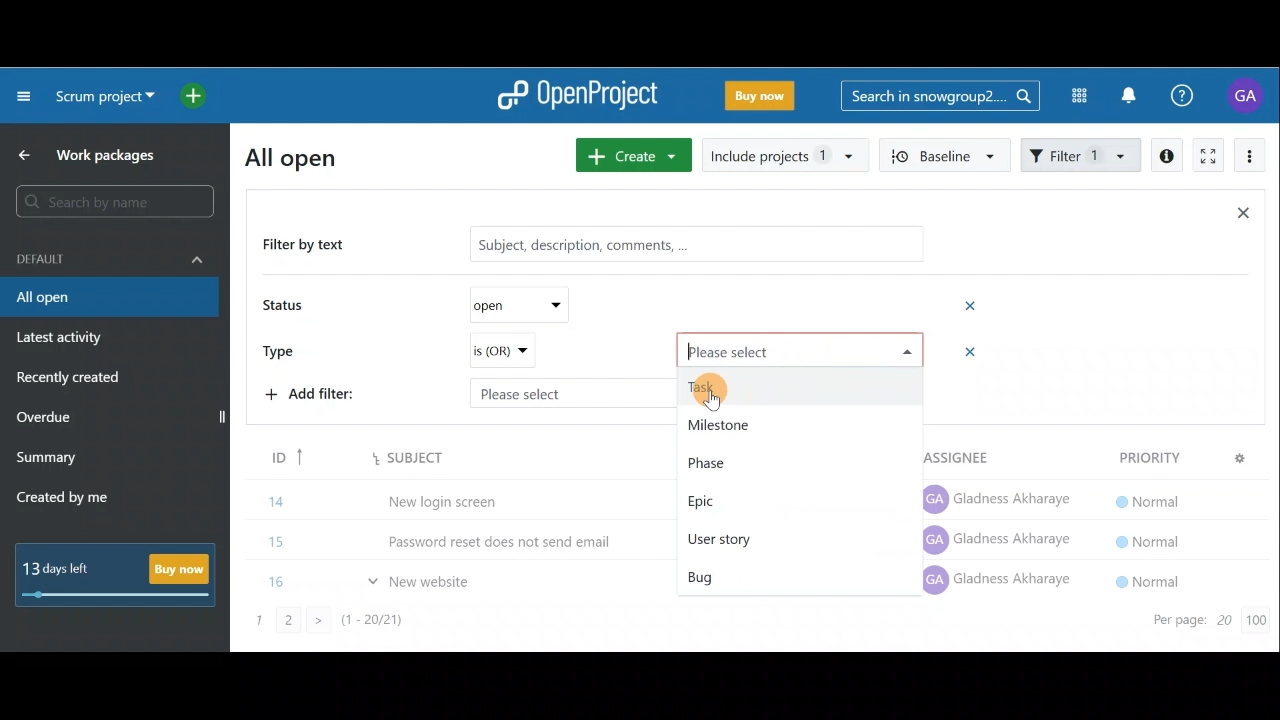 The image size is (1280, 720). Describe the element at coordinates (797, 461) in the screenshot. I see `Phase` at that location.